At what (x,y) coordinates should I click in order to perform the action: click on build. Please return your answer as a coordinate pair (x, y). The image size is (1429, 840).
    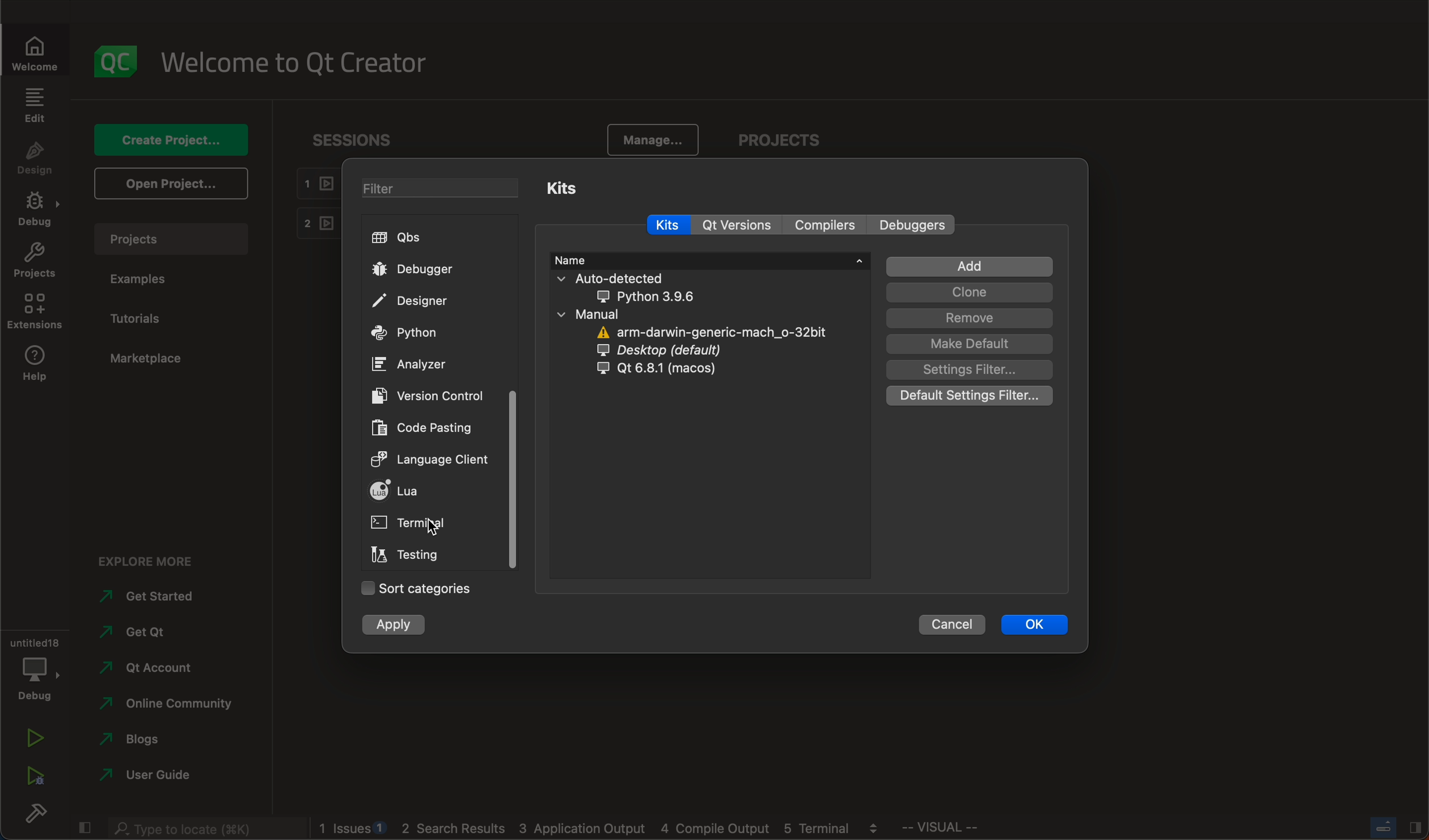
    Looking at the image, I should click on (32, 817).